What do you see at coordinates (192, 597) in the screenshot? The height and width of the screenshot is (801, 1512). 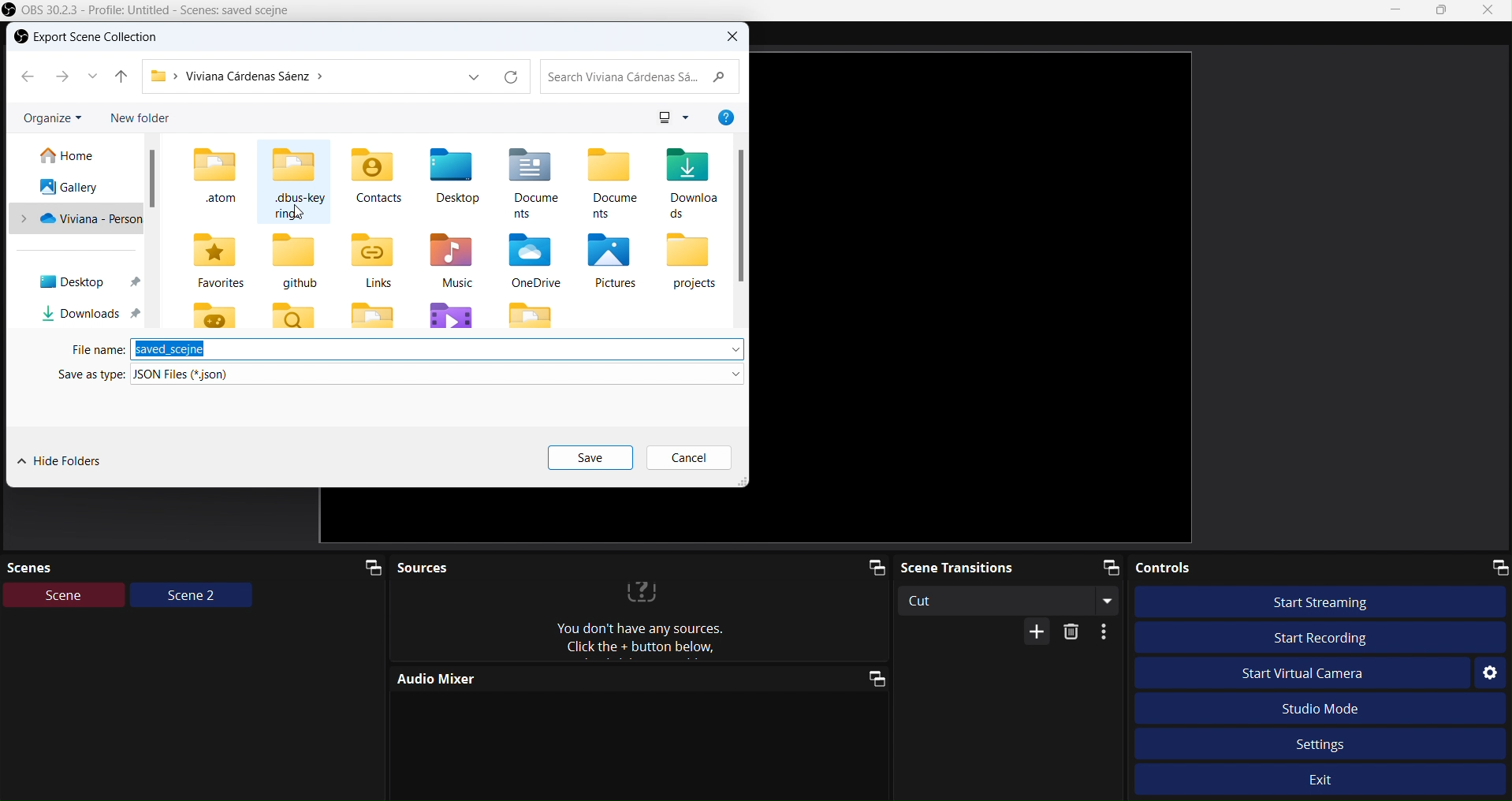 I see `Scene2` at bounding box center [192, 597].